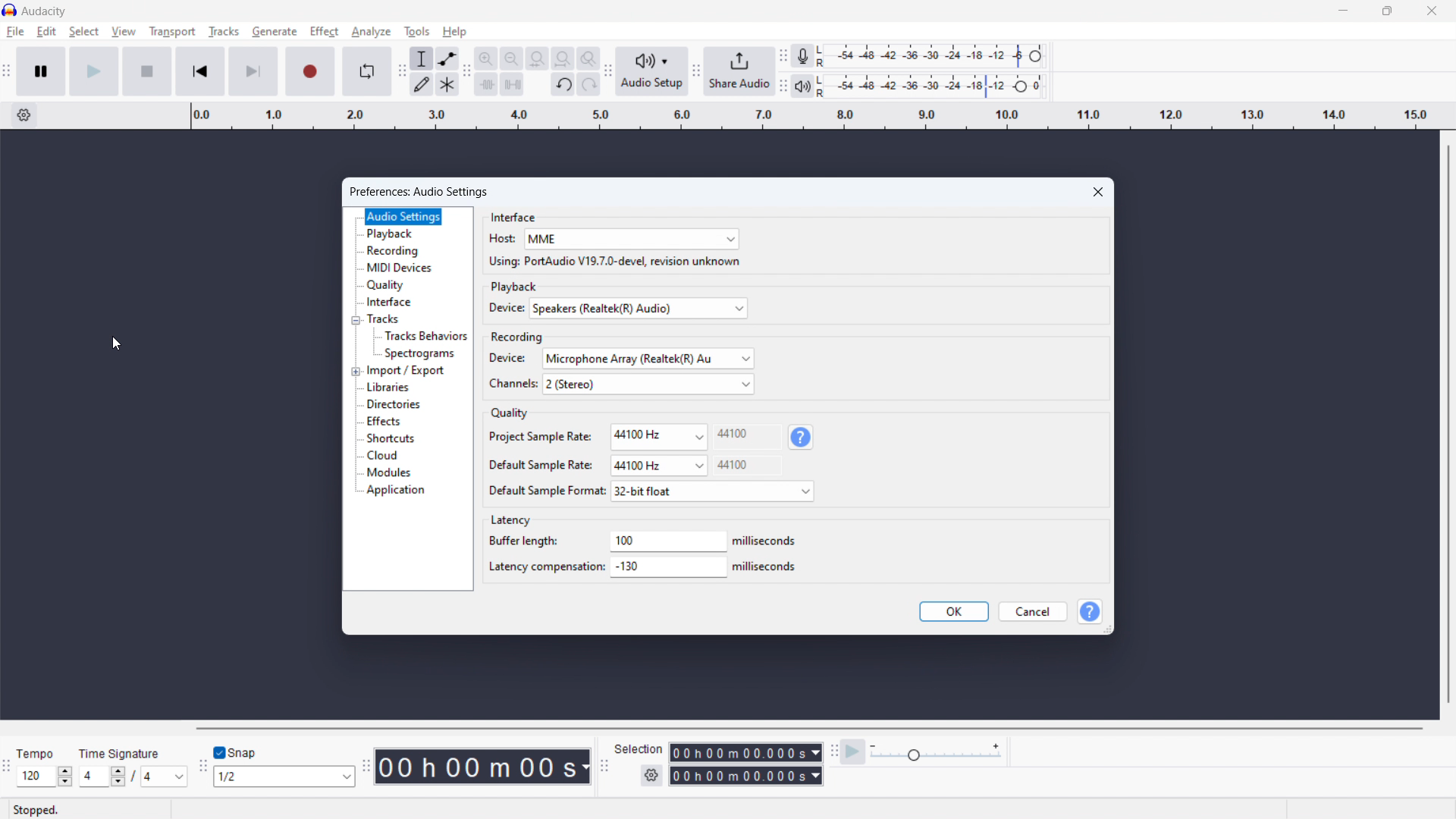 This screenshot has height=819, width=1456. What do you see at coordinates (648, 384) in the screenshot?
I see `select recording channel` at bounding box center [648, 384].